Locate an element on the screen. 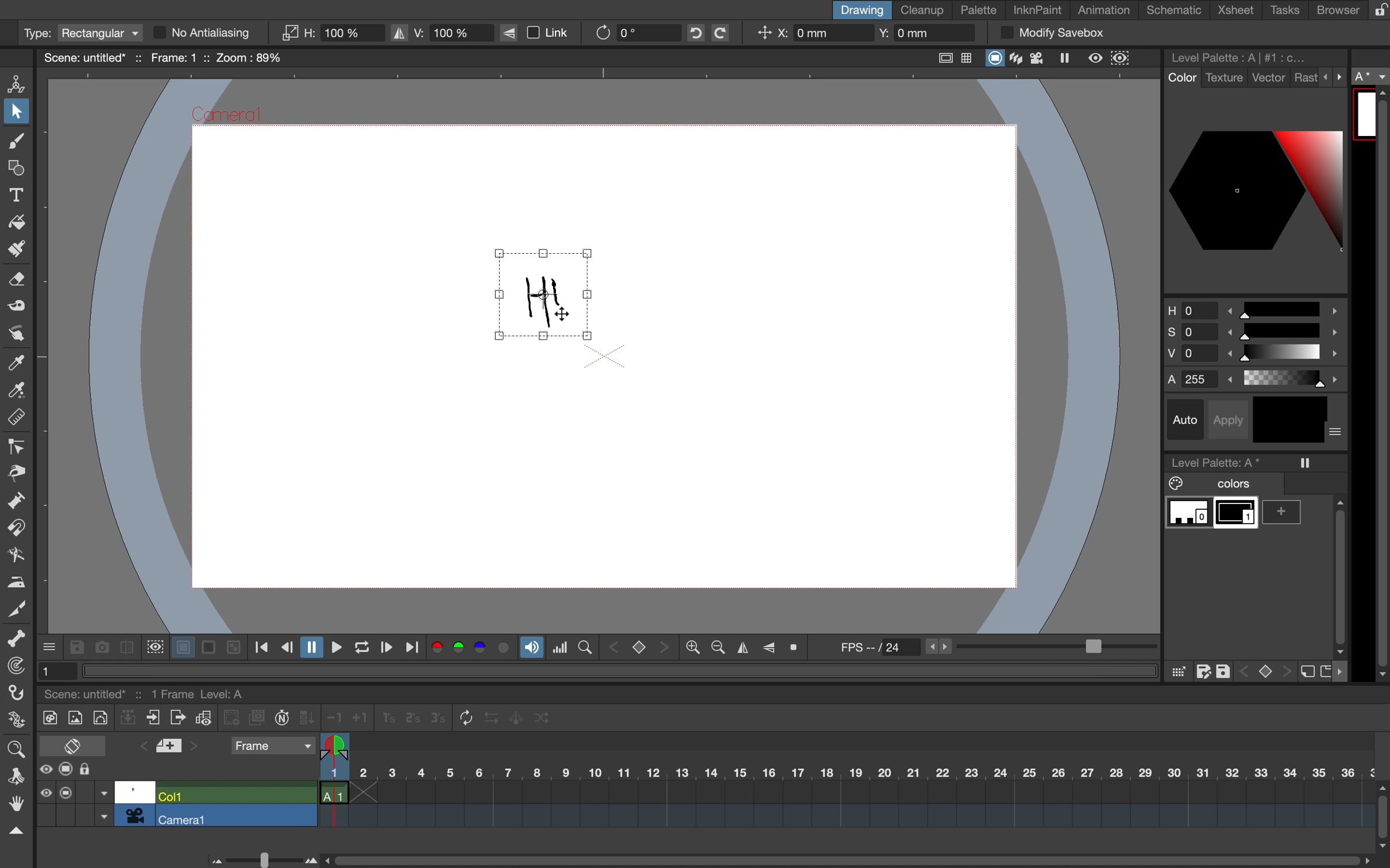 Image resolution: width=1390 pixels, height=868 pixels. random is located at coordinates (543, 720).